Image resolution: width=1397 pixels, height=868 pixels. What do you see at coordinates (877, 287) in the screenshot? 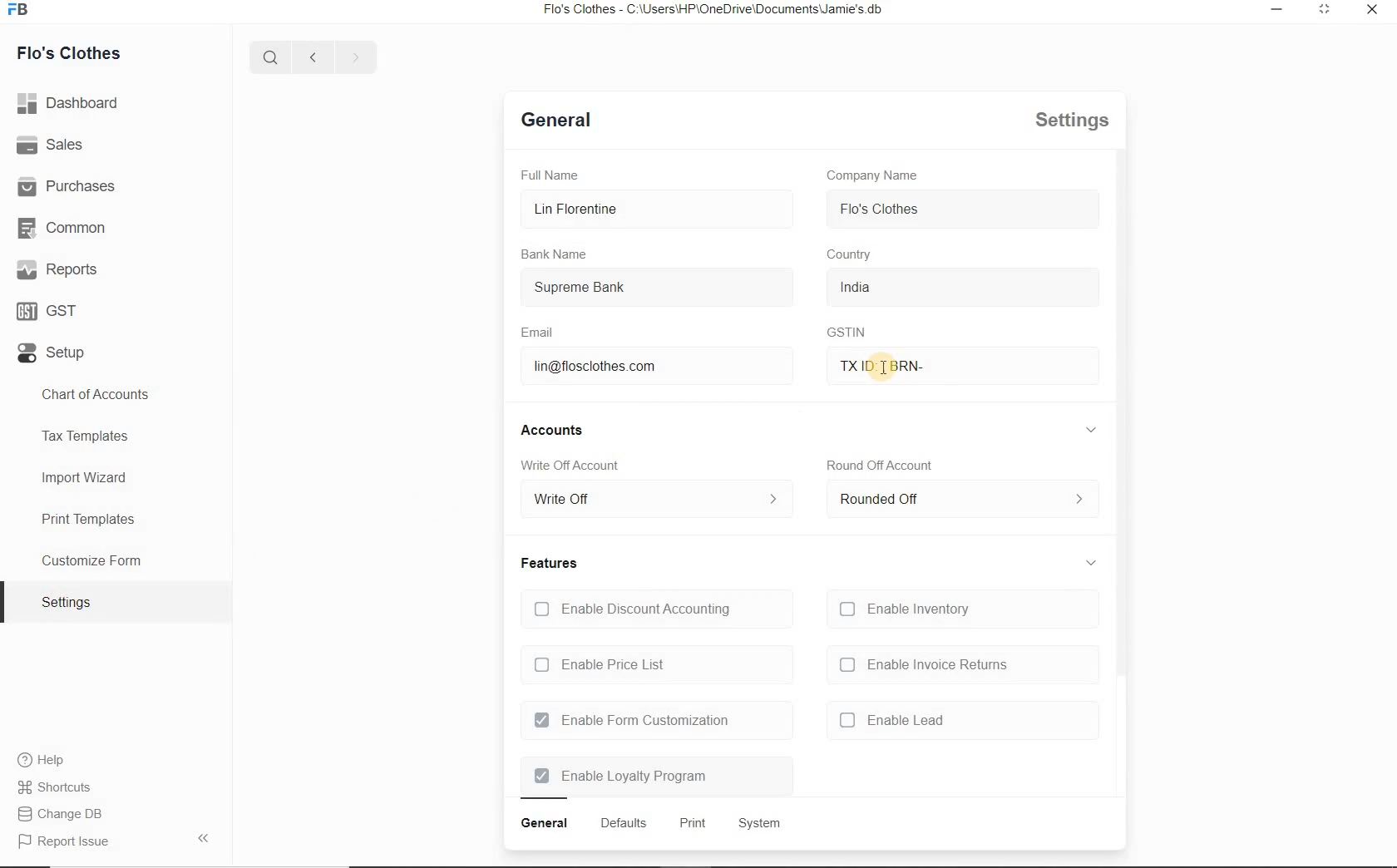
I see `india` at bounding box center [877, 287].